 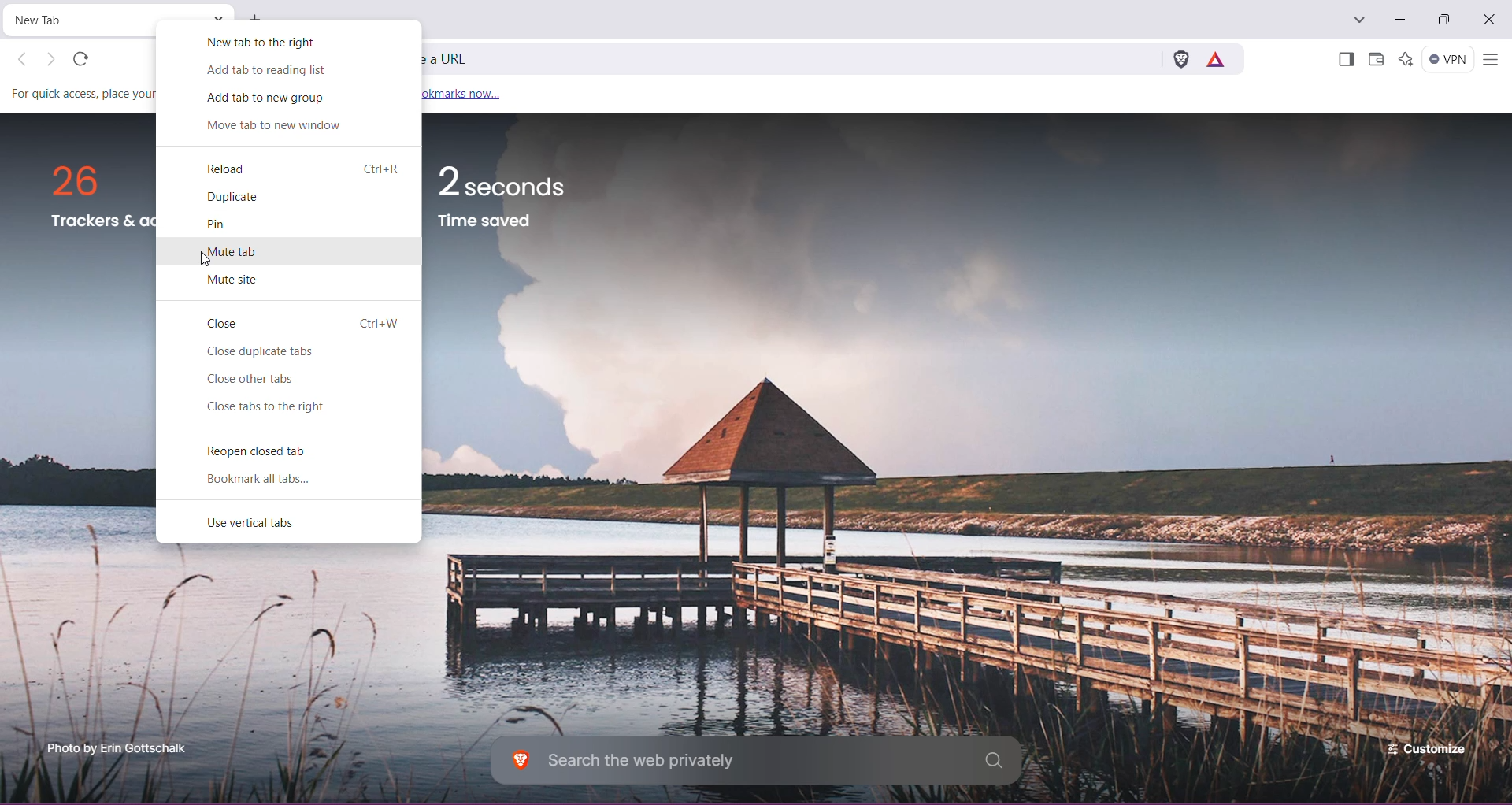 What do you see at coordinates (1183, 59) in the screenshot?
I see `Brave Shields` at bounding box center [1183, 59].